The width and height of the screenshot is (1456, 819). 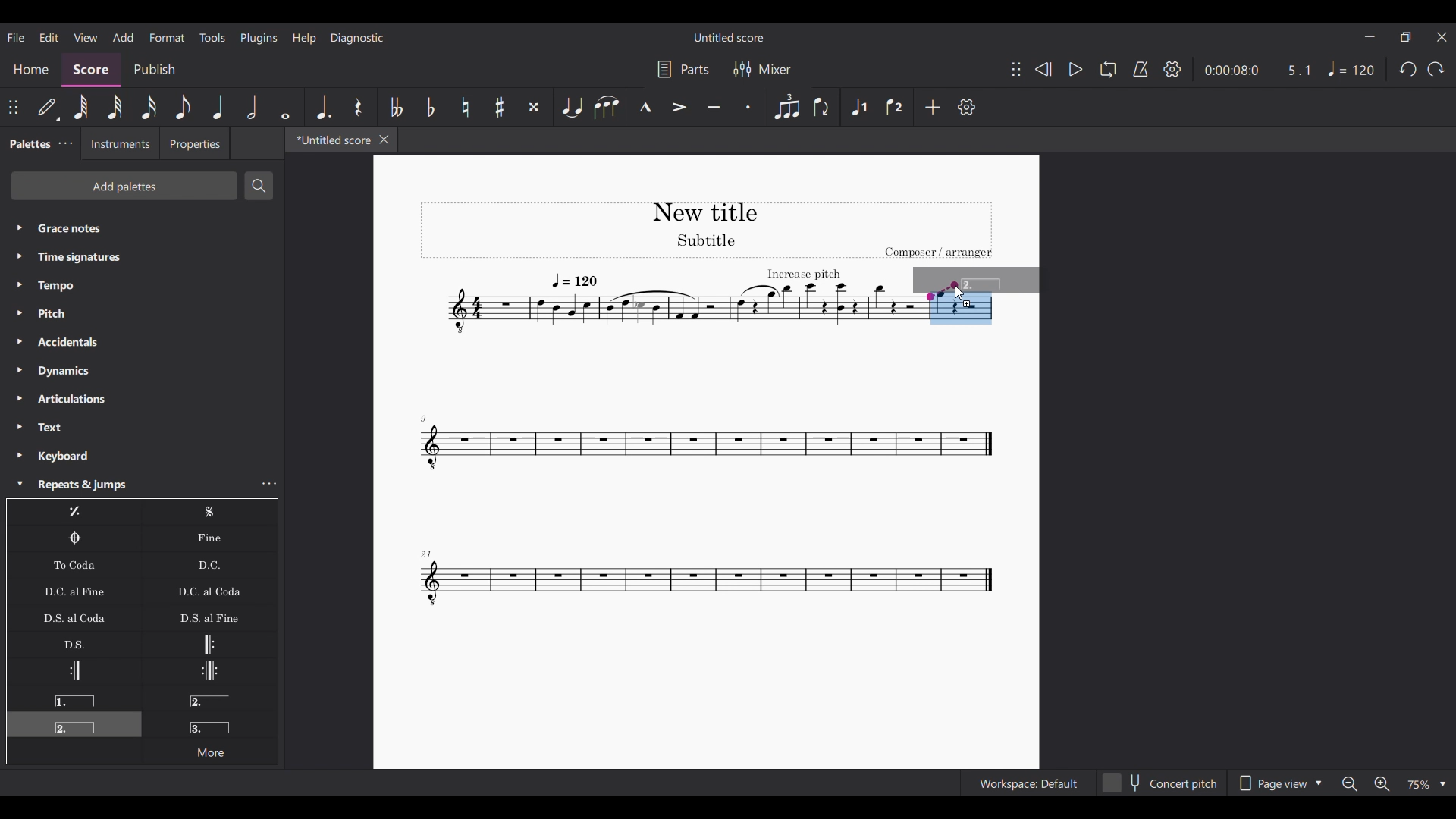 What do you see at coordinates (430, 107) in the screenshot?
I see `Toggle flat` at bounding box center [430, 107].